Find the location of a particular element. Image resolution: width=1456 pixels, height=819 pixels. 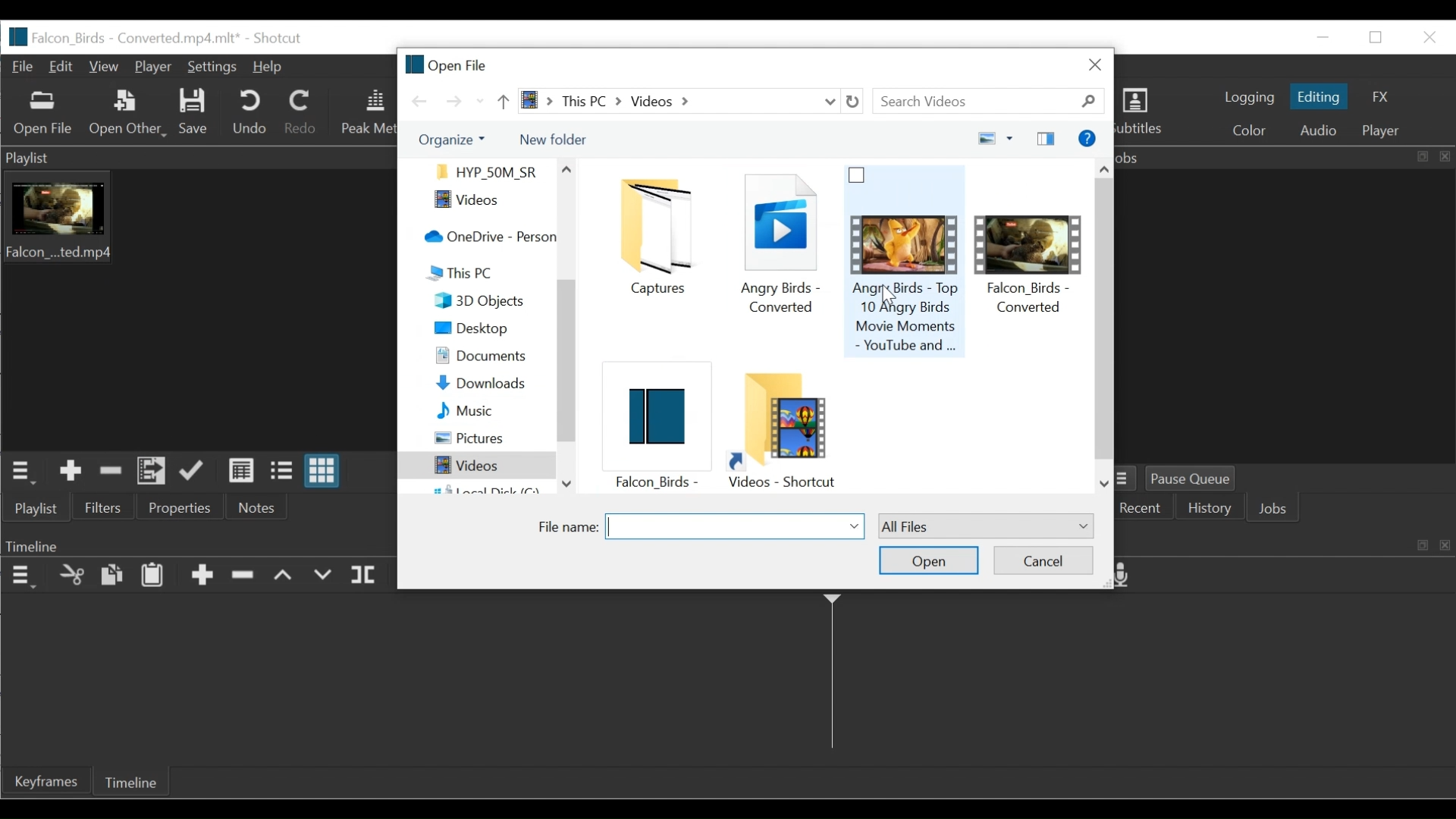

Close is located at coordinates (1096, 64).